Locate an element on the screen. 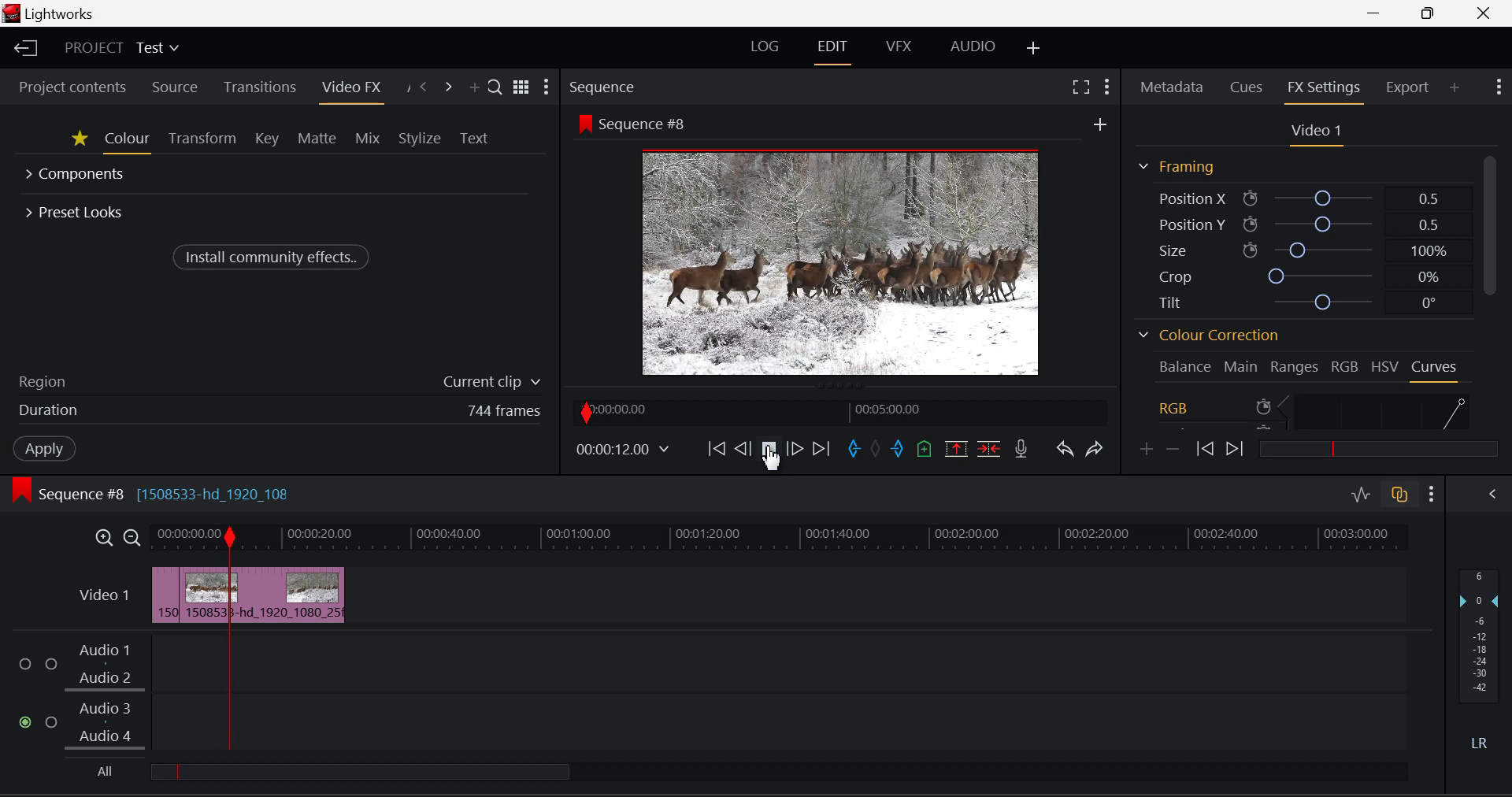 This screenshot has height=797, width=1512. Tilt is located at coordinates (1298, 301).